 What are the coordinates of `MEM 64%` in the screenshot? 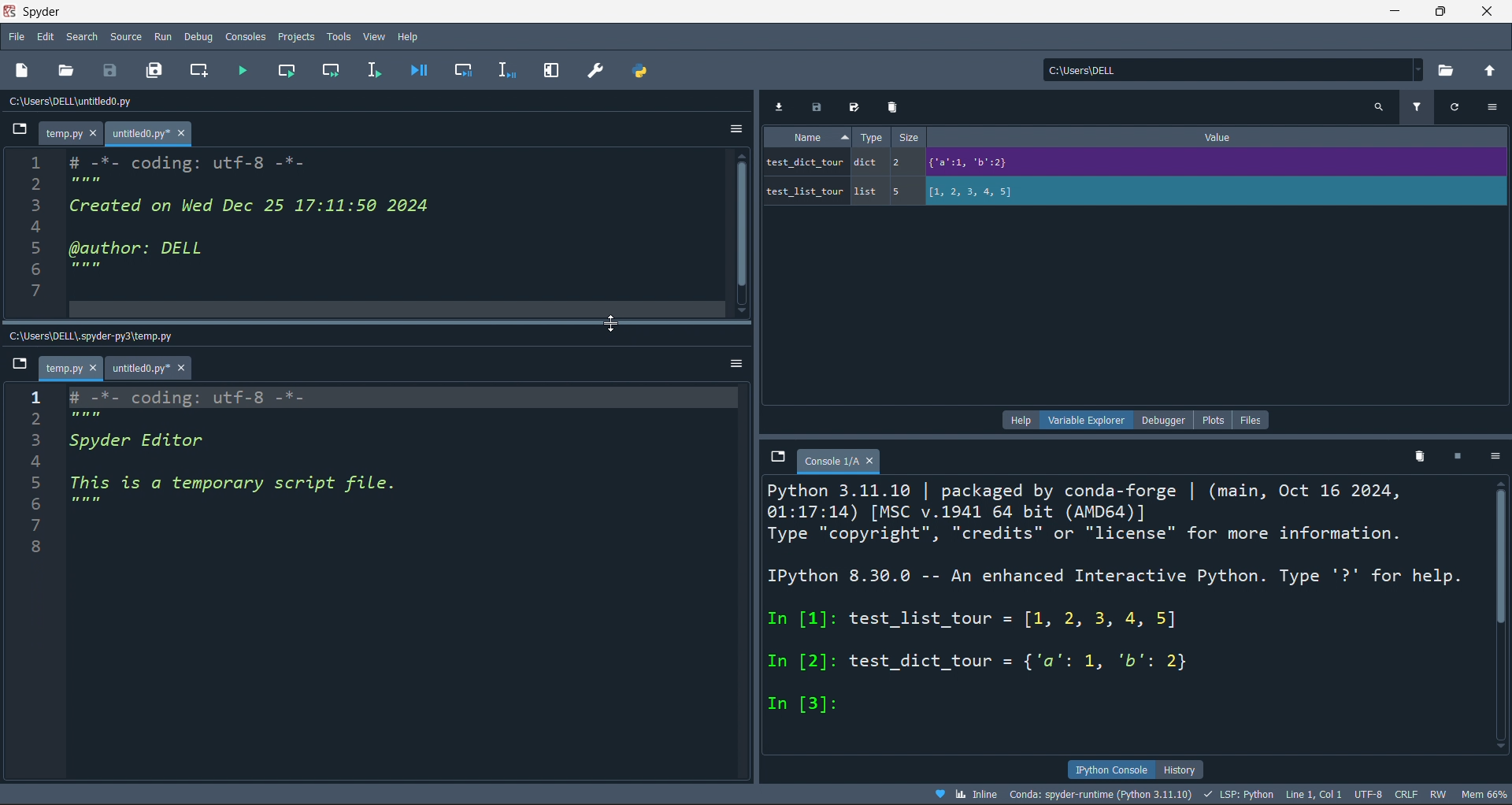 It's located at (1488, 793).